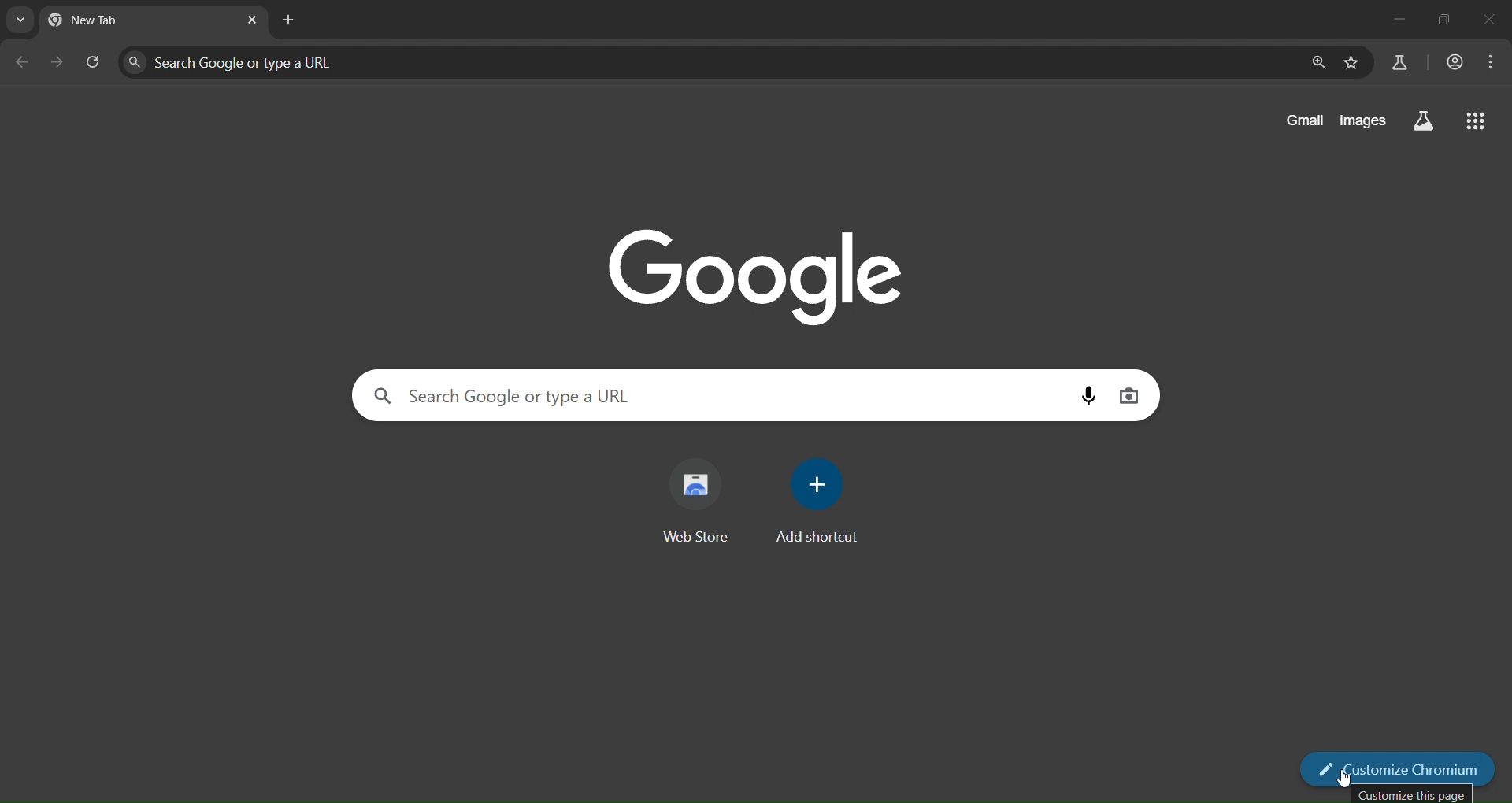  Describe the element at coordinates (1352, 61) in the screenshot. I see `bookmark page` at that location.